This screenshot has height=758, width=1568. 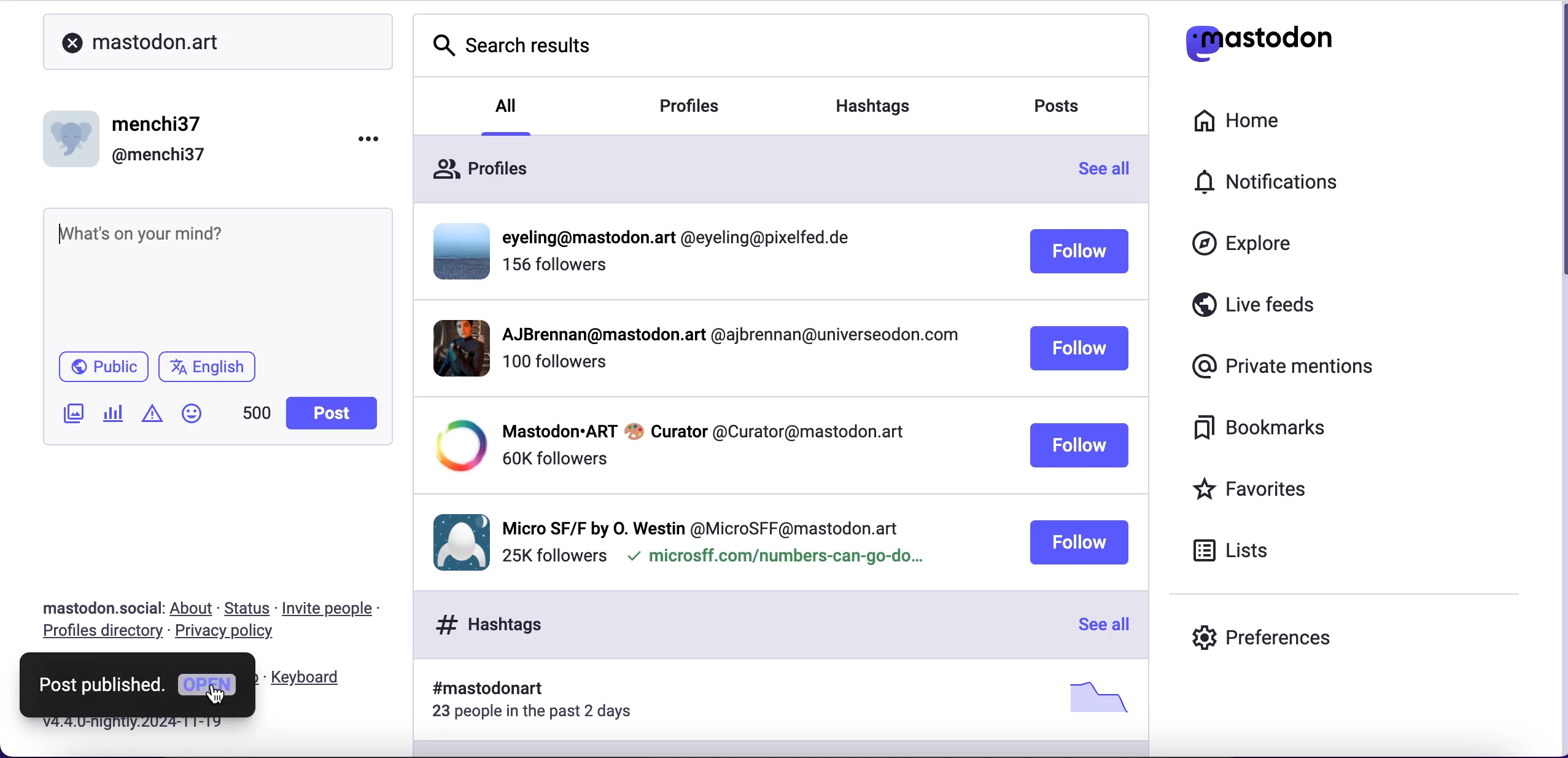 I want to click on mastodon.social, so click(x=98, y=607).